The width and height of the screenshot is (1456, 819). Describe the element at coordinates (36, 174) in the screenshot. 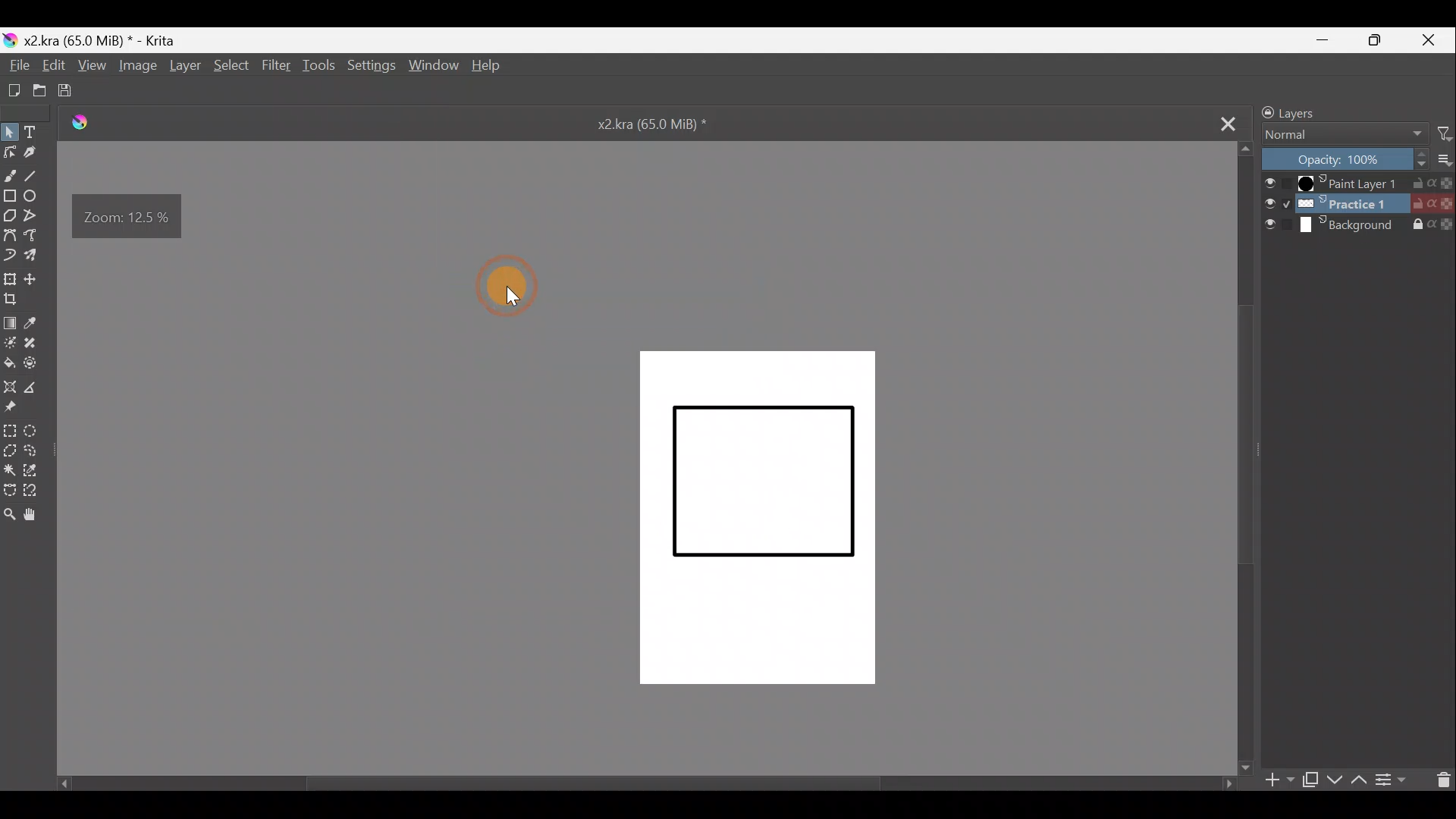

I see `Line tool` at that location.